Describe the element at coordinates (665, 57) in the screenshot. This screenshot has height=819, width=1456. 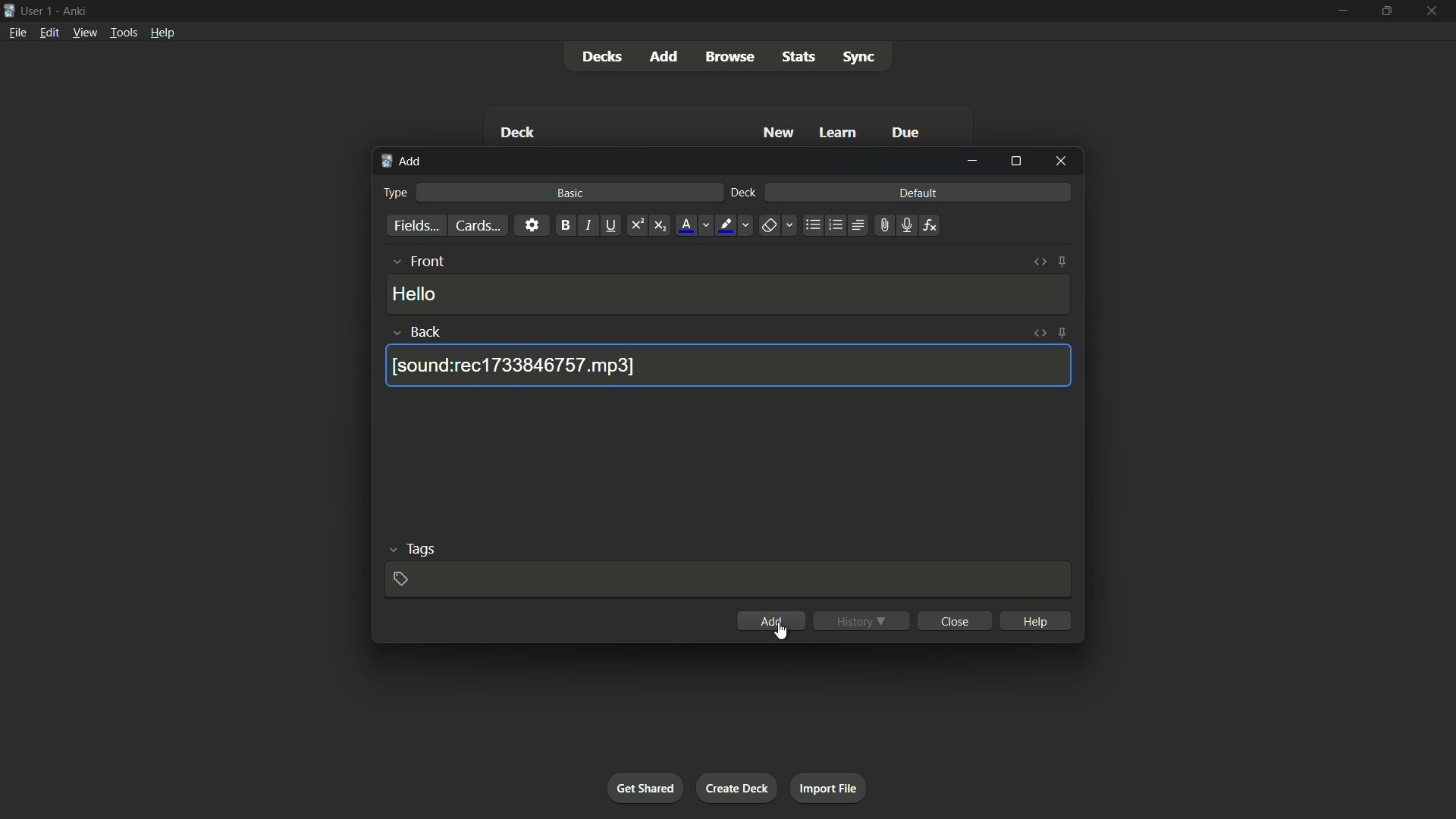
I see `add` at that location.